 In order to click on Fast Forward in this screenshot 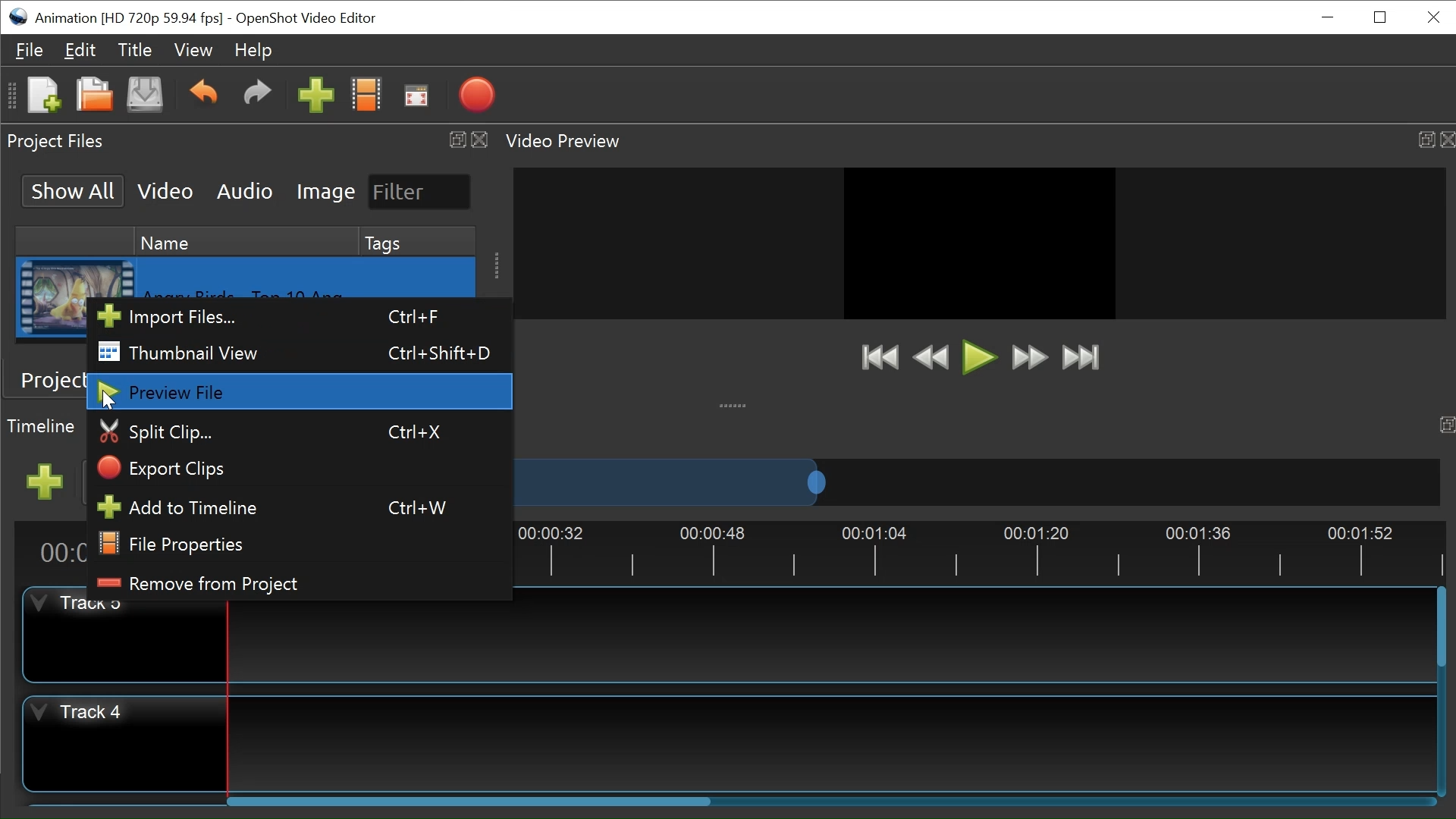, I will do `click(1031, 359)`.